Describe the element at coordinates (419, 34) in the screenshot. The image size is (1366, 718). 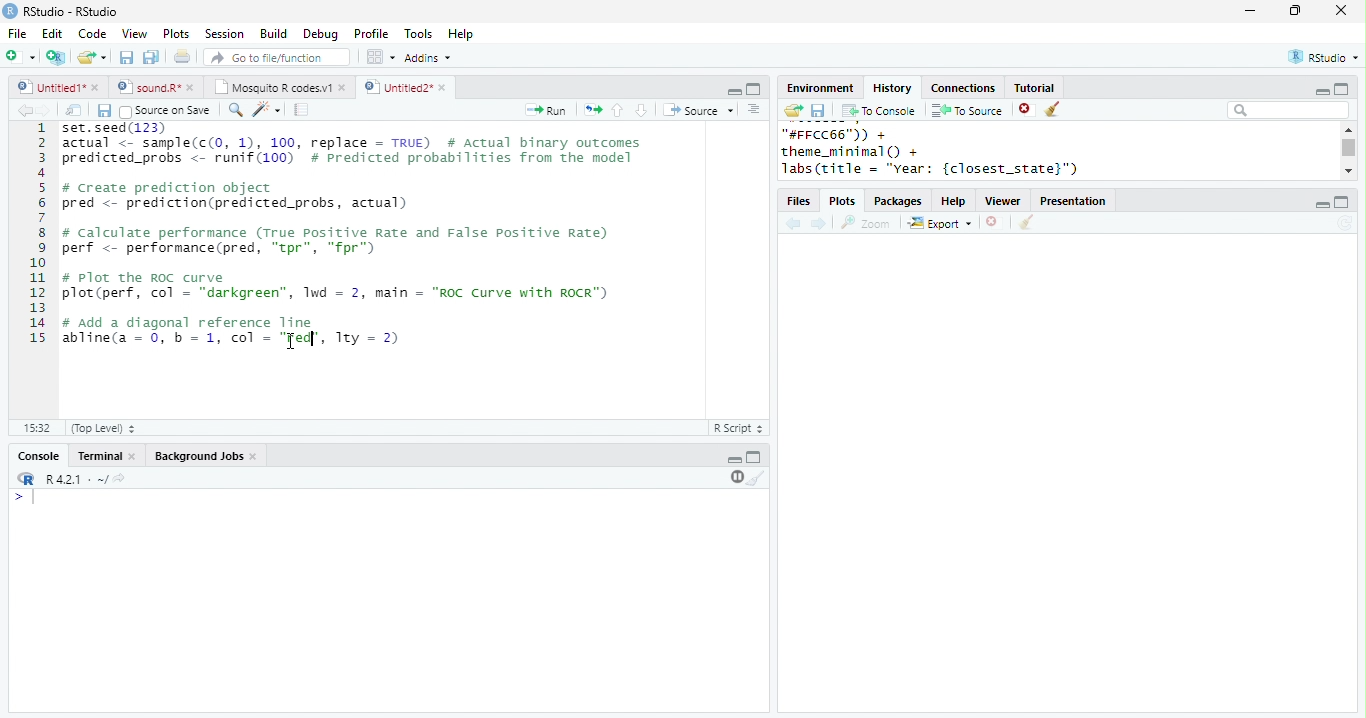
I see `Tools` at that location.